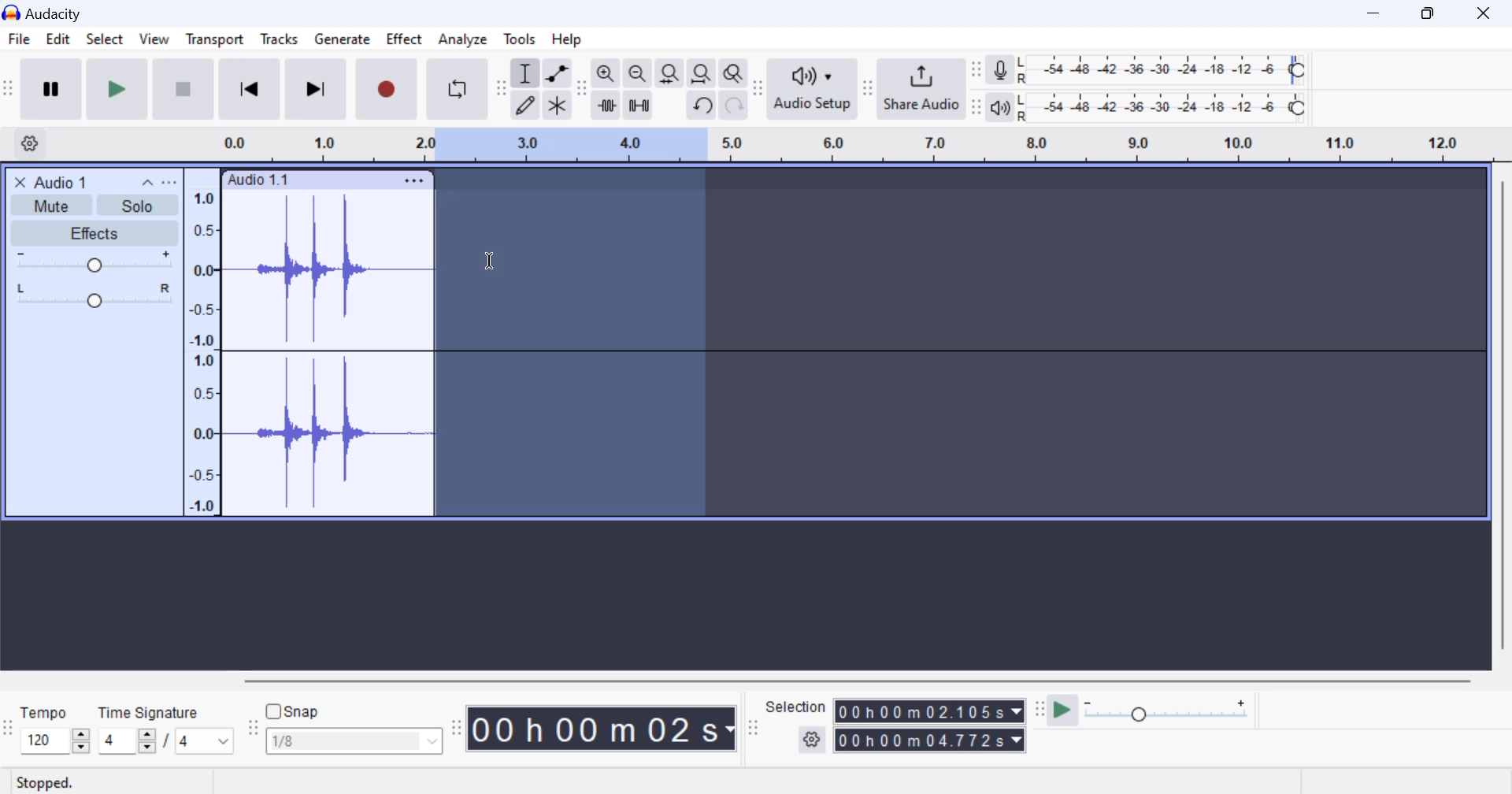 This screenshot has width=1512, height=794. What do you see at coordinates (813, 740) in the screenshot?
I see `settings` at bounding box center [813, 740].